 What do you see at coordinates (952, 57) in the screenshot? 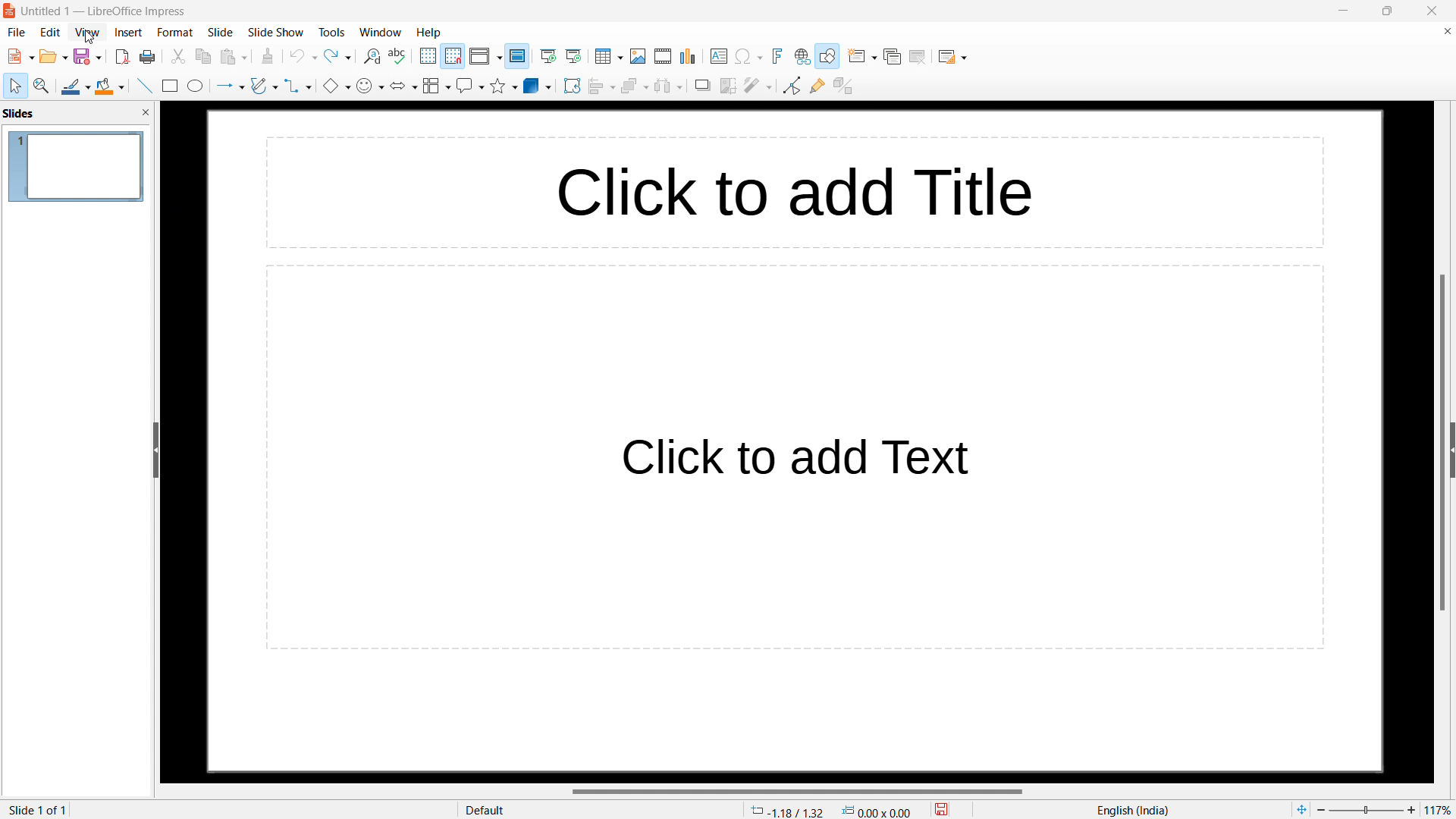
I see `slide layout` at bounding box center [952, 57].